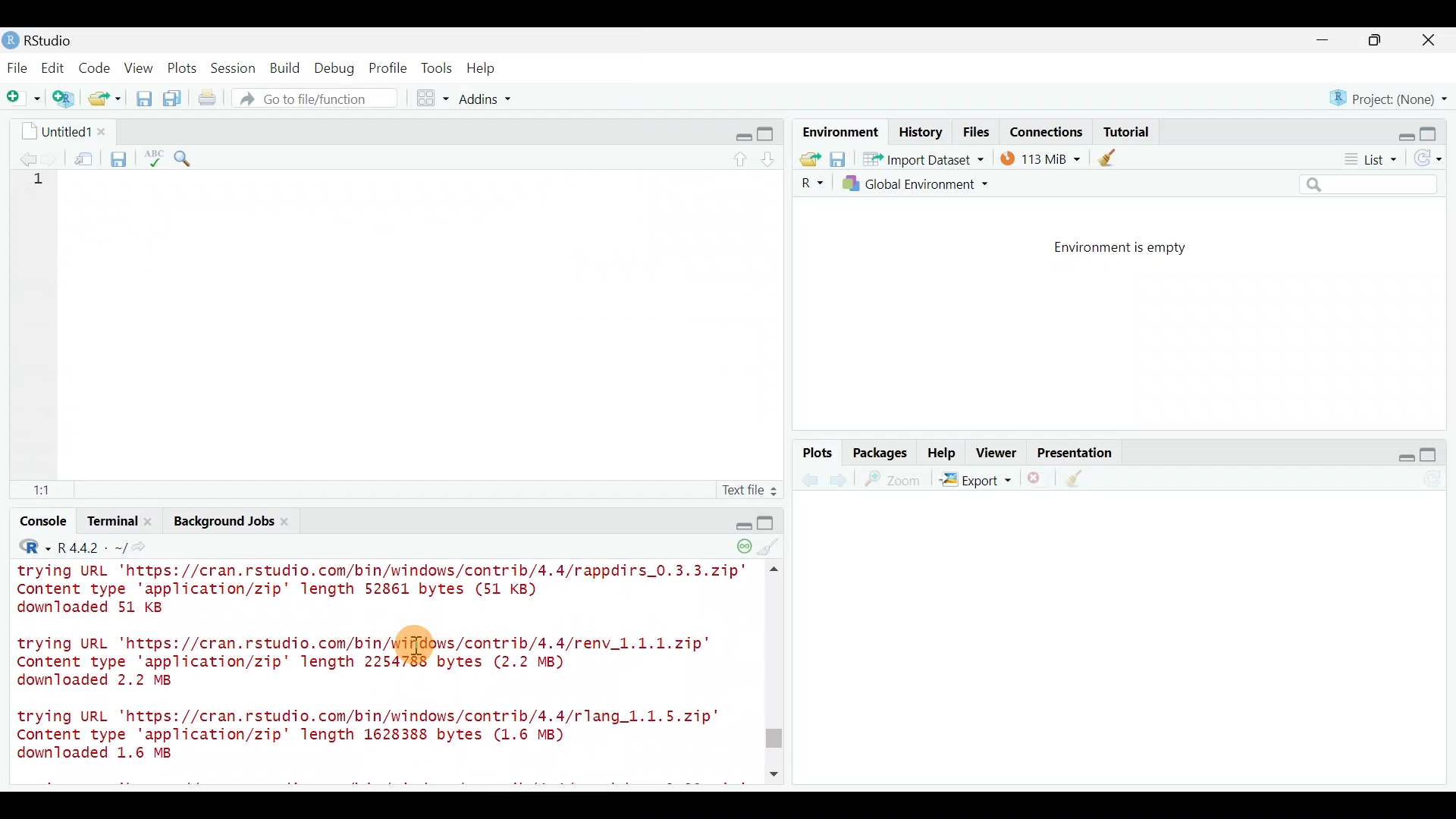 Image resolution: width=1456 pixels, height=819 pixels. What do you see at coordinates (1078, 453) in the screenshot?
I see `Presentation` at bounding box center [1078, 453].